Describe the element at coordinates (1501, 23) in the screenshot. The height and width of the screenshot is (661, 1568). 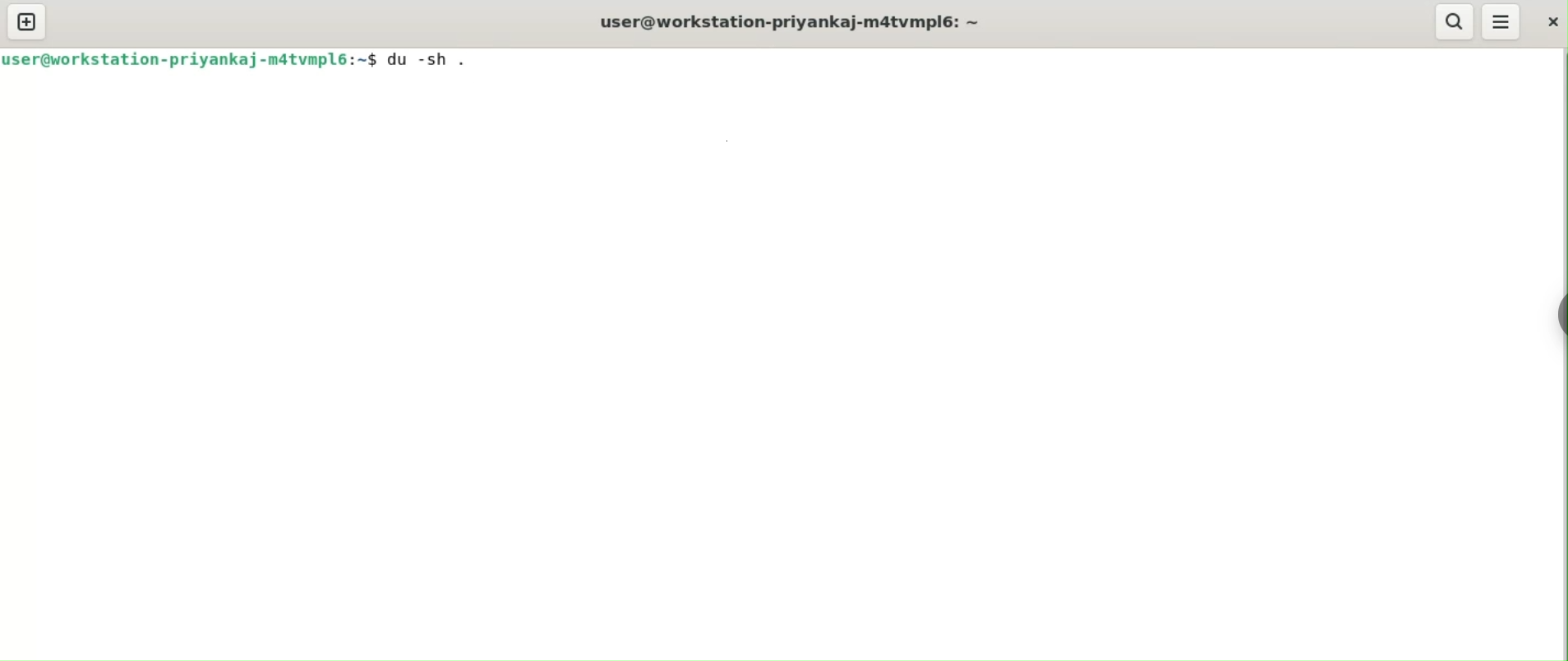
I see `menu` at that location.